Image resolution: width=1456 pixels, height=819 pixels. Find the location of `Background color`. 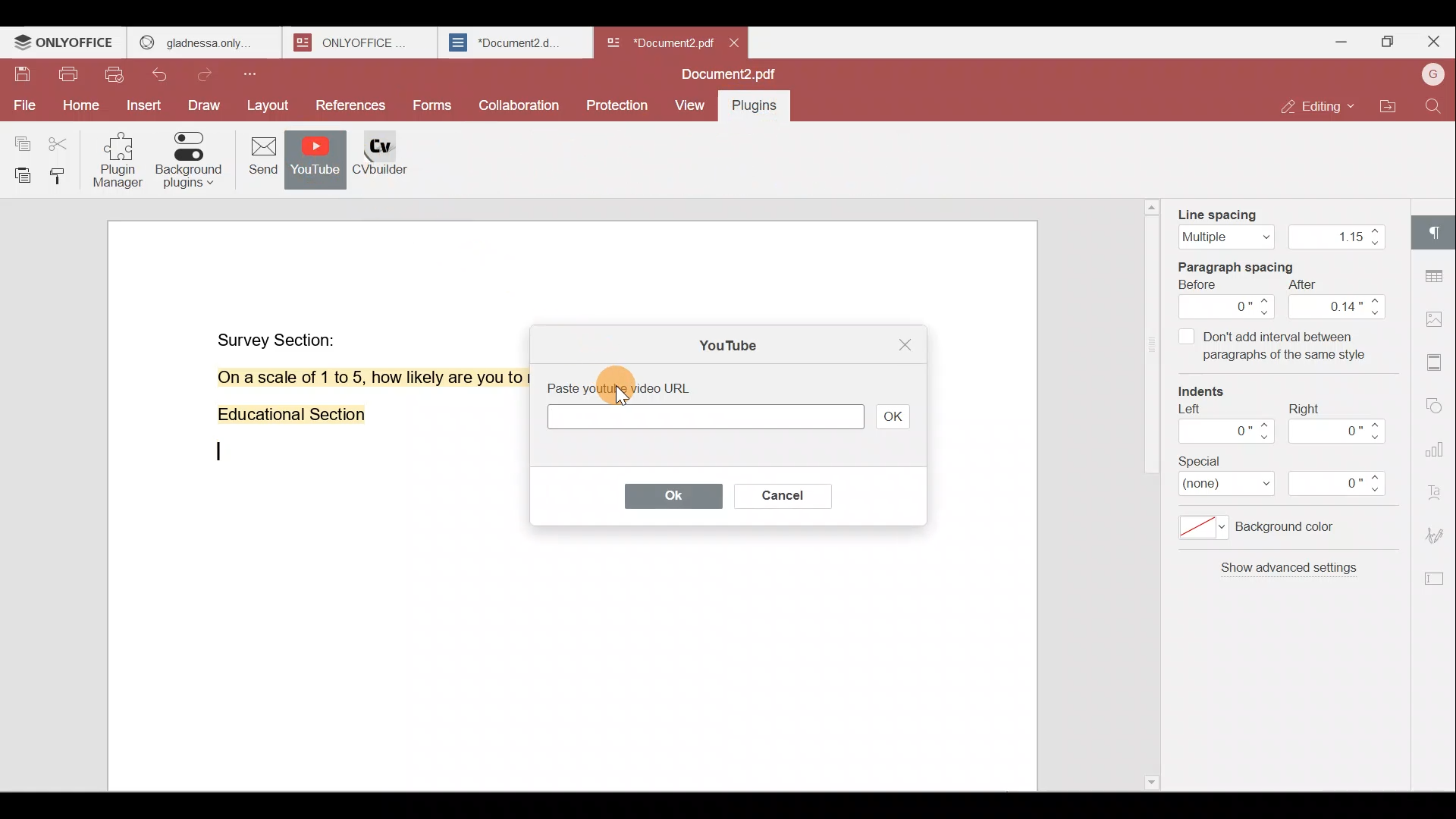

Background color is located at coordinates (1270, 532).